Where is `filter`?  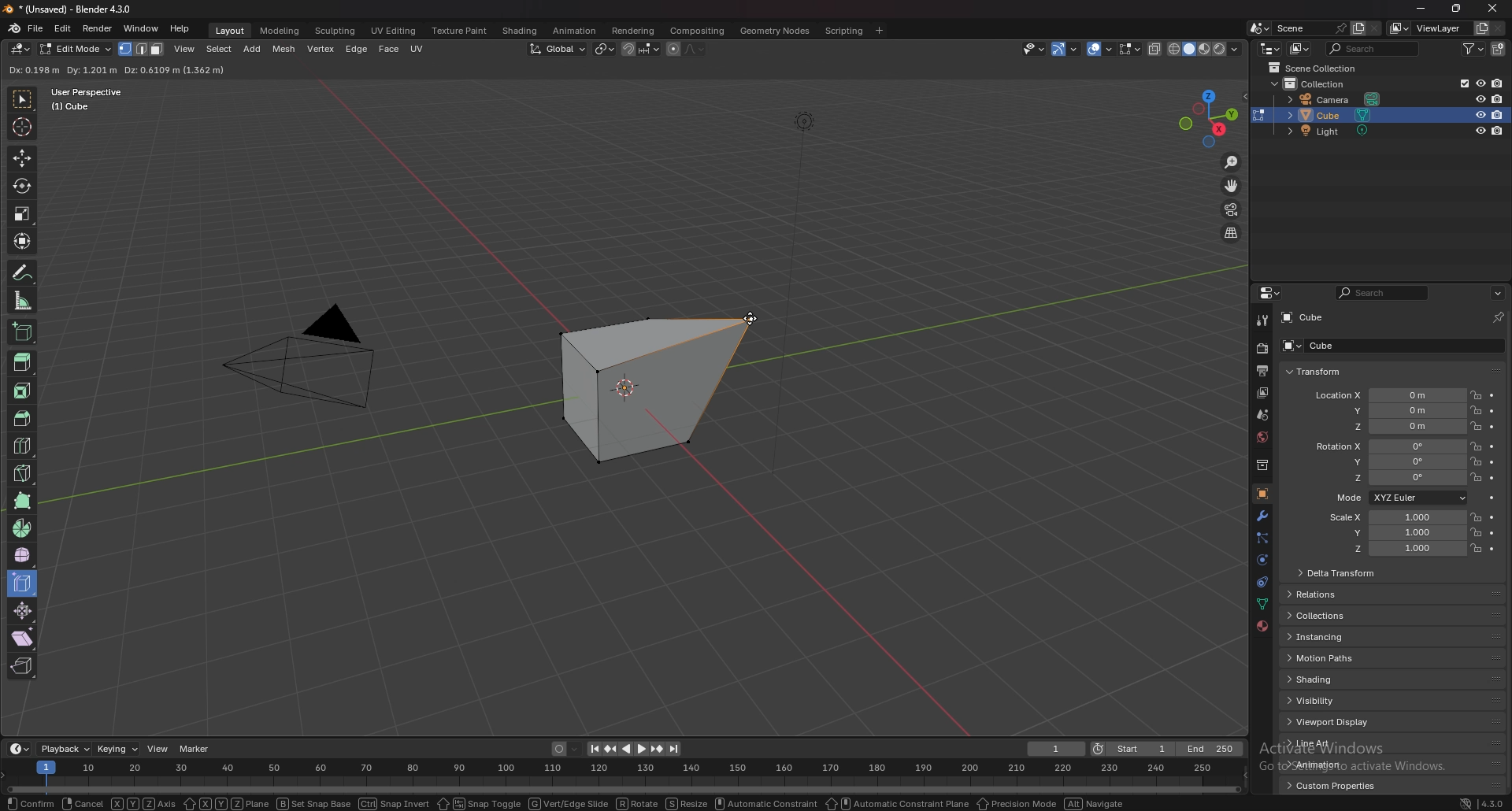
filter is located at coordinates (1475, 48).